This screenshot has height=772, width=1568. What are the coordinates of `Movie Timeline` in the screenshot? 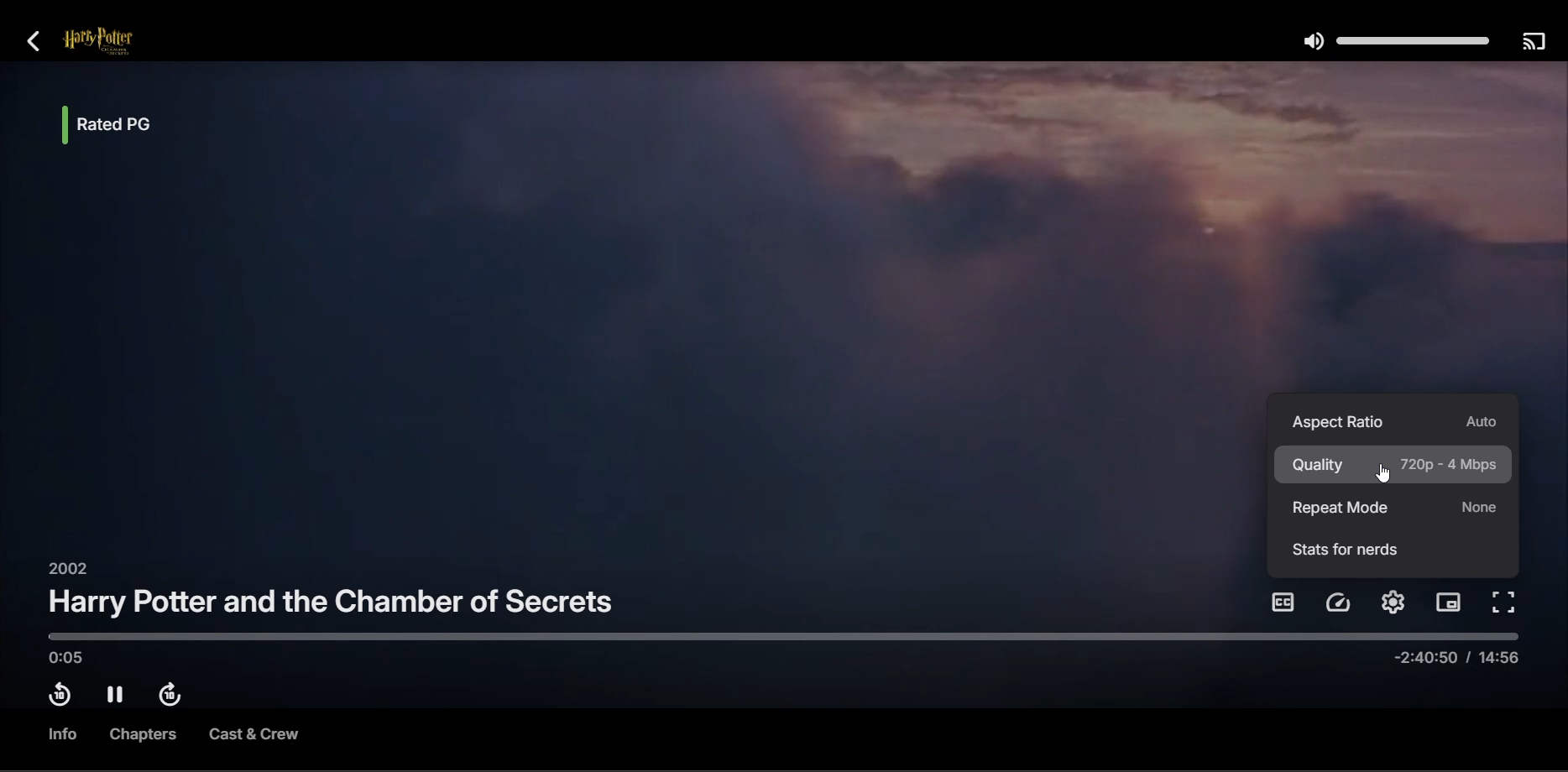 It's located at (777, 637).